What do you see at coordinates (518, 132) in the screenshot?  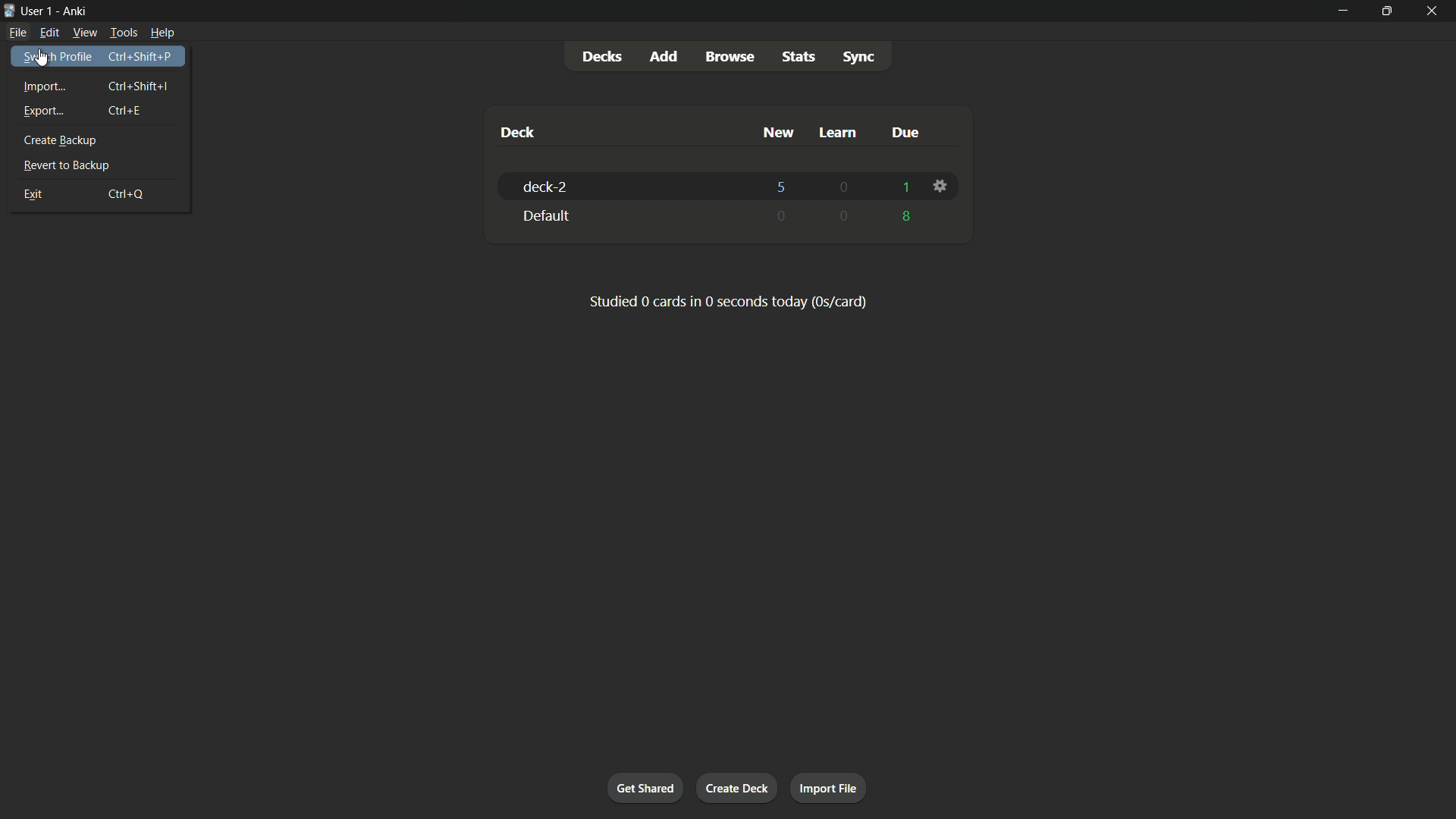 I see `deck` at bounding box center [518, 132].